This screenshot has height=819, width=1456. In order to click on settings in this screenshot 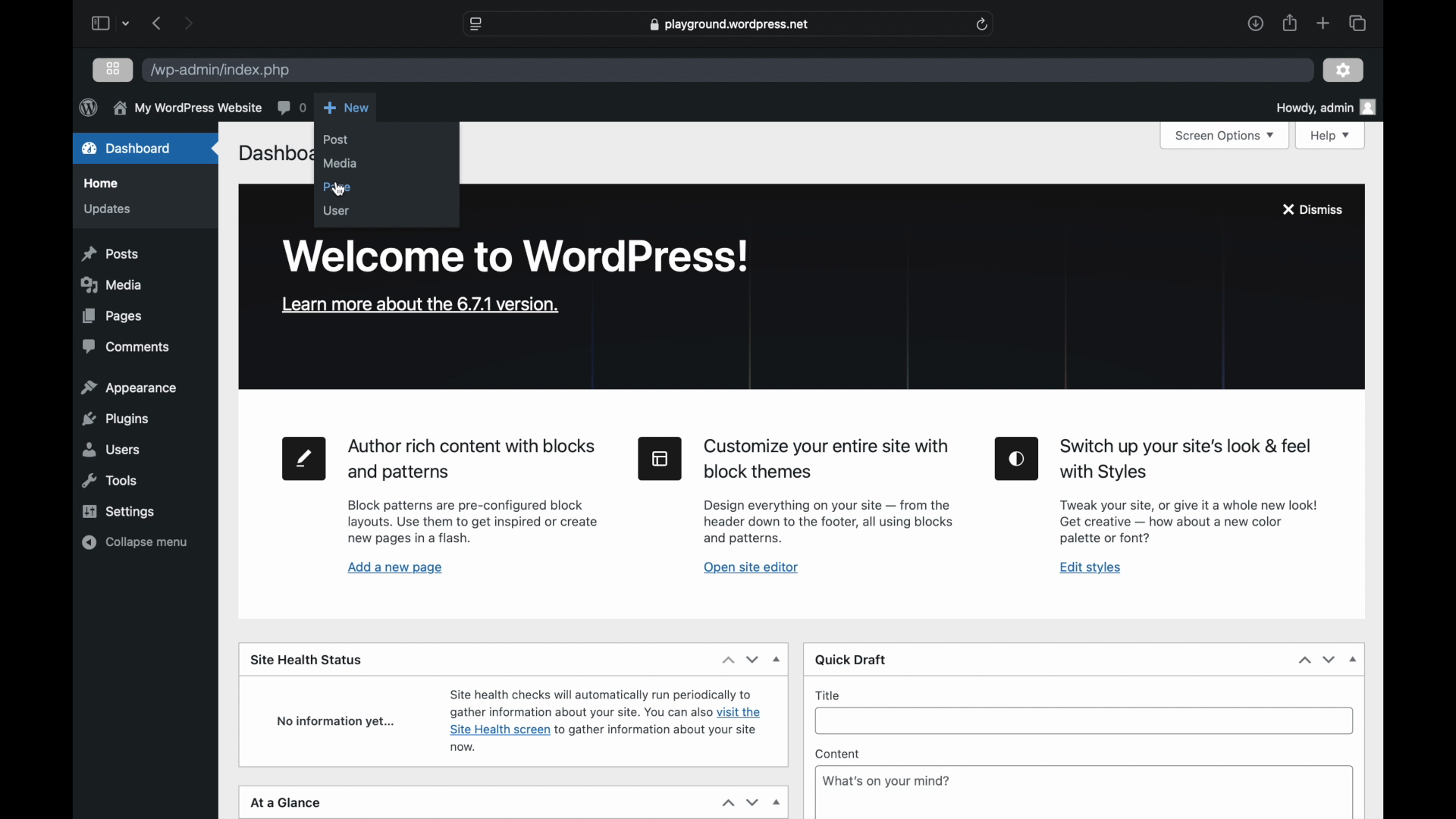, I will do `click(121, 512)`.